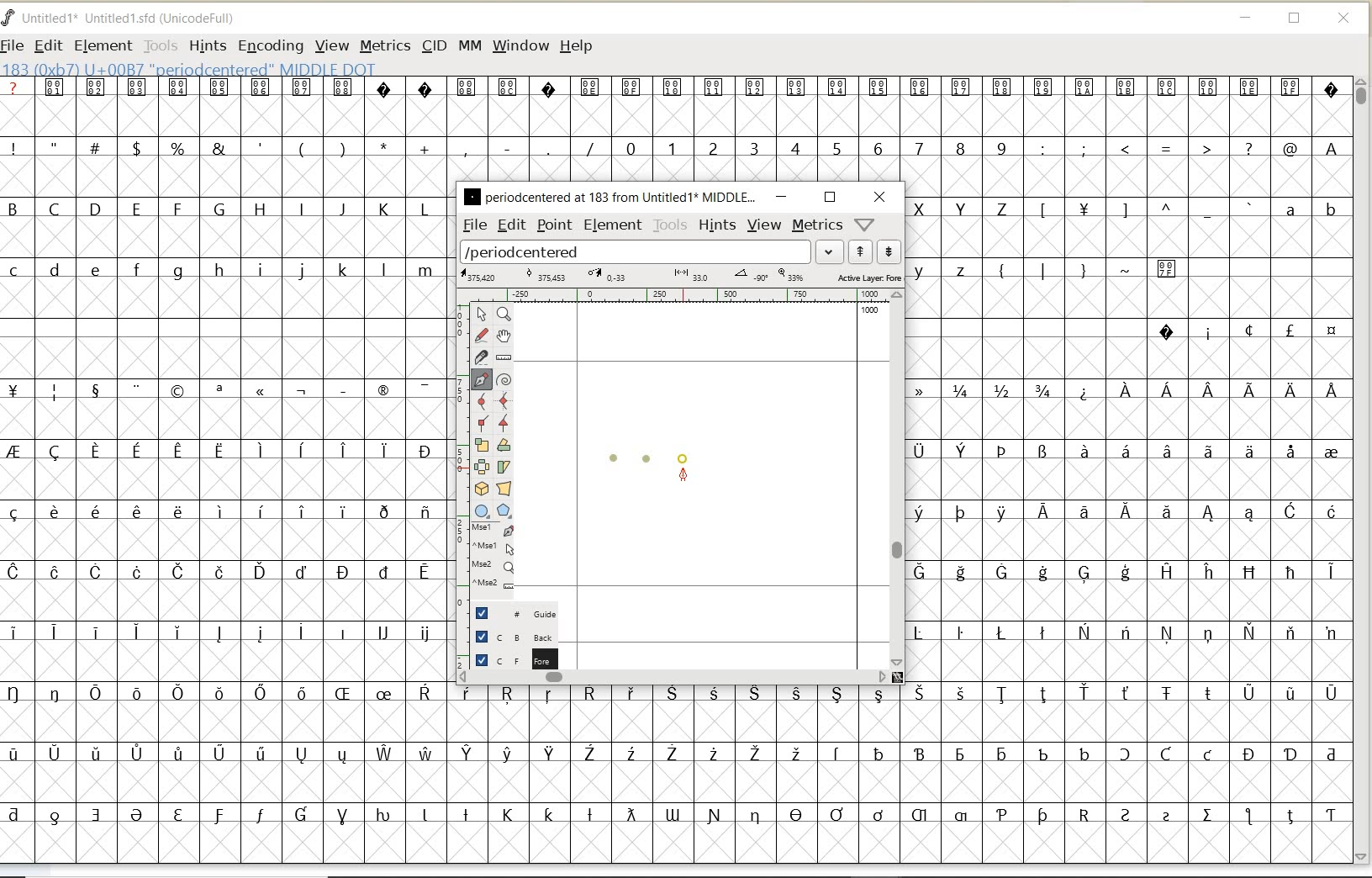  Describe the element at coordinates (483, 467) in the screenshot. I see `flip the selection` at that location.